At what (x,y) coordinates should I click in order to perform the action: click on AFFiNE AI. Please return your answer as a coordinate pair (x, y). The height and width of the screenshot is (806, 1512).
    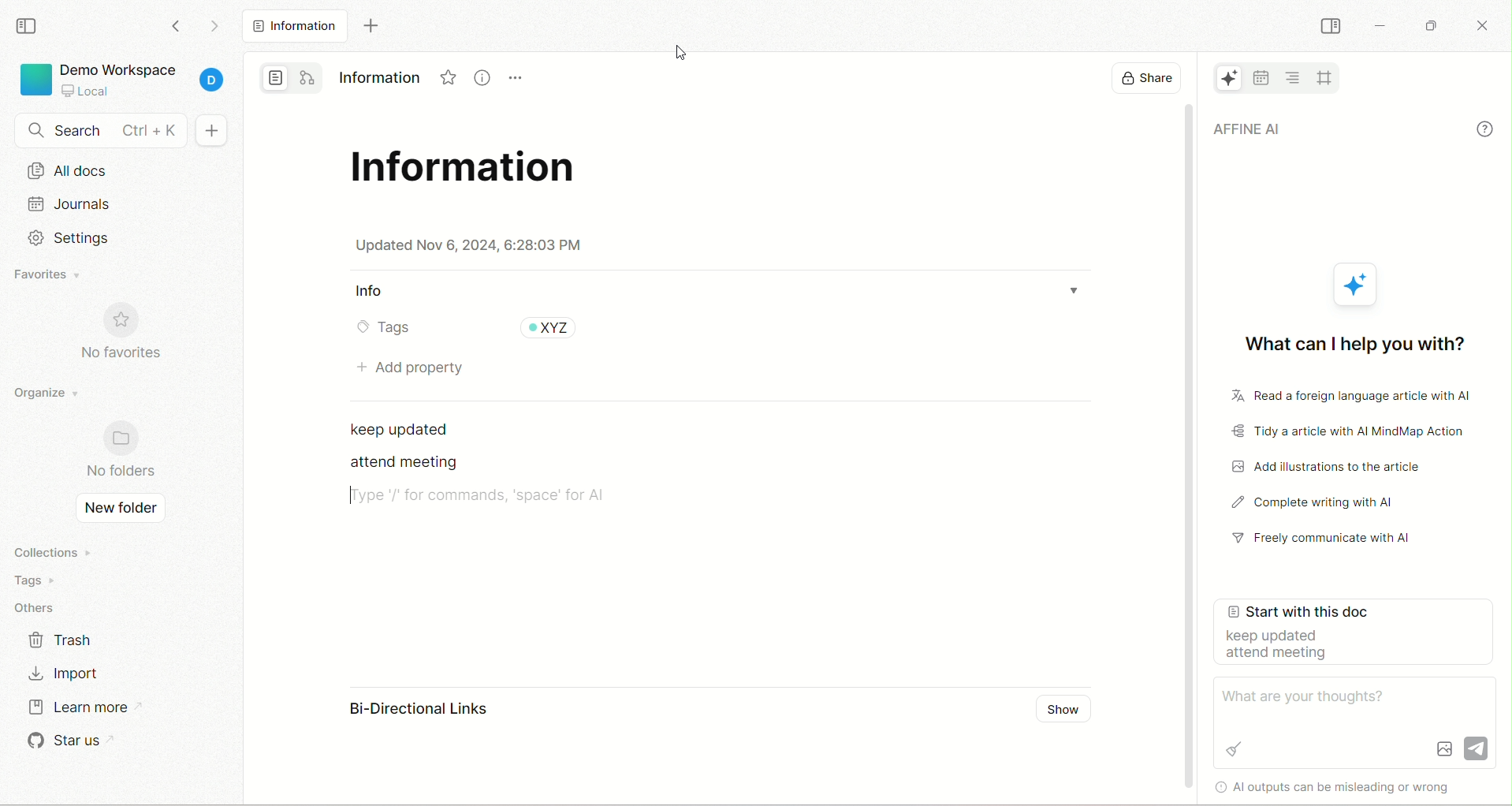
    Looking at the image, I should click on (1221, 80).